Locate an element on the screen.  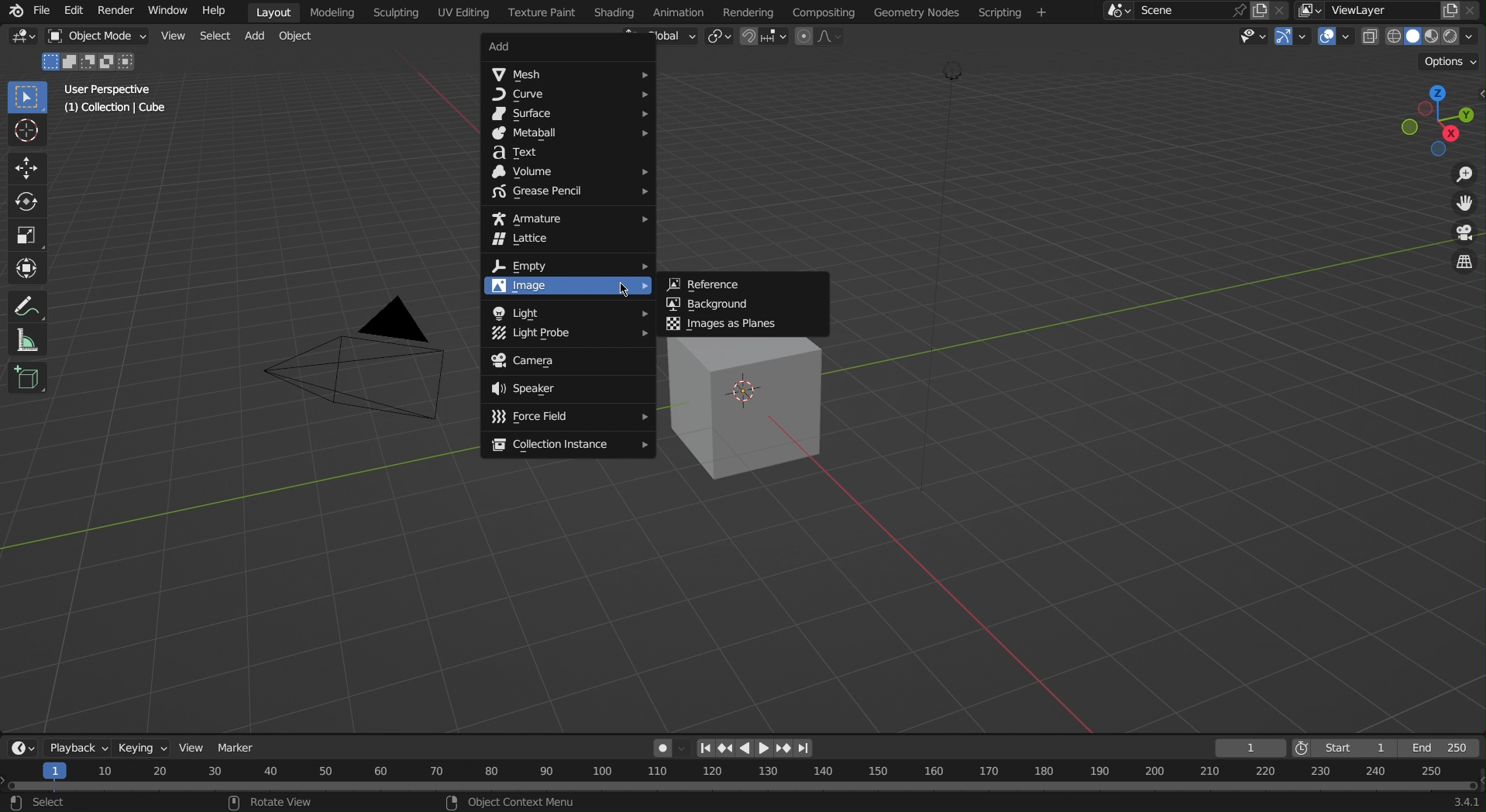
Toggle View is located at coordinates (1467, 265).